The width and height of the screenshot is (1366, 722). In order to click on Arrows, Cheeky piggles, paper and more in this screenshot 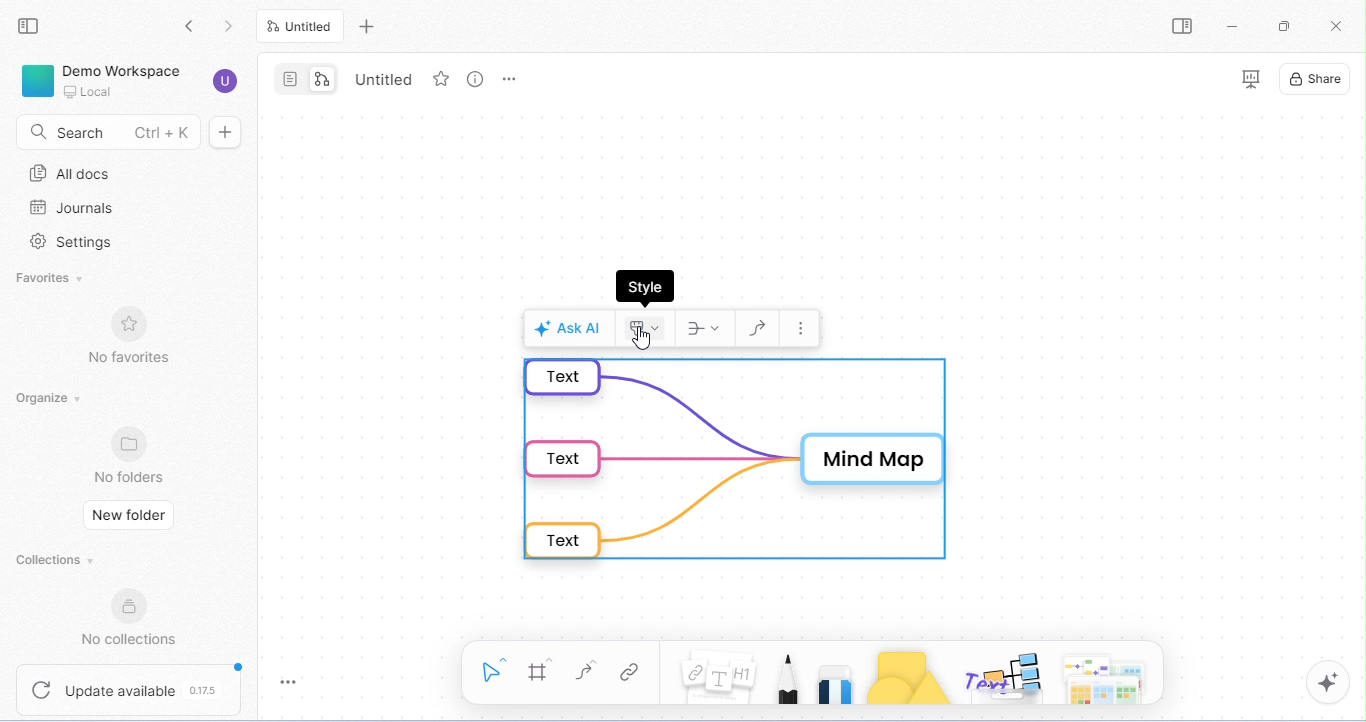, I will do `click(1108, 677)`.